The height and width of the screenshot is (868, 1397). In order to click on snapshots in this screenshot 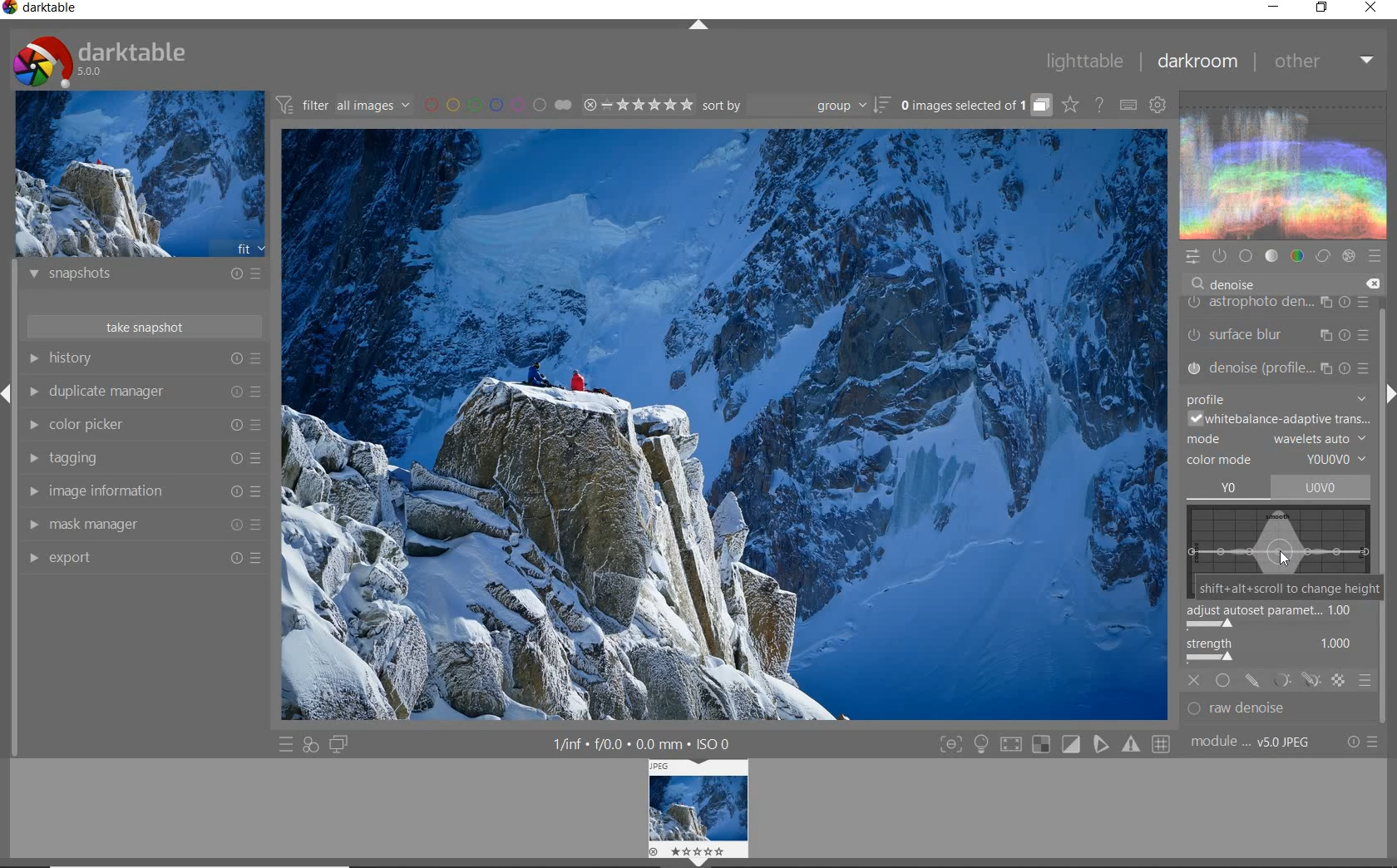, I will do `click(146, 276)`.